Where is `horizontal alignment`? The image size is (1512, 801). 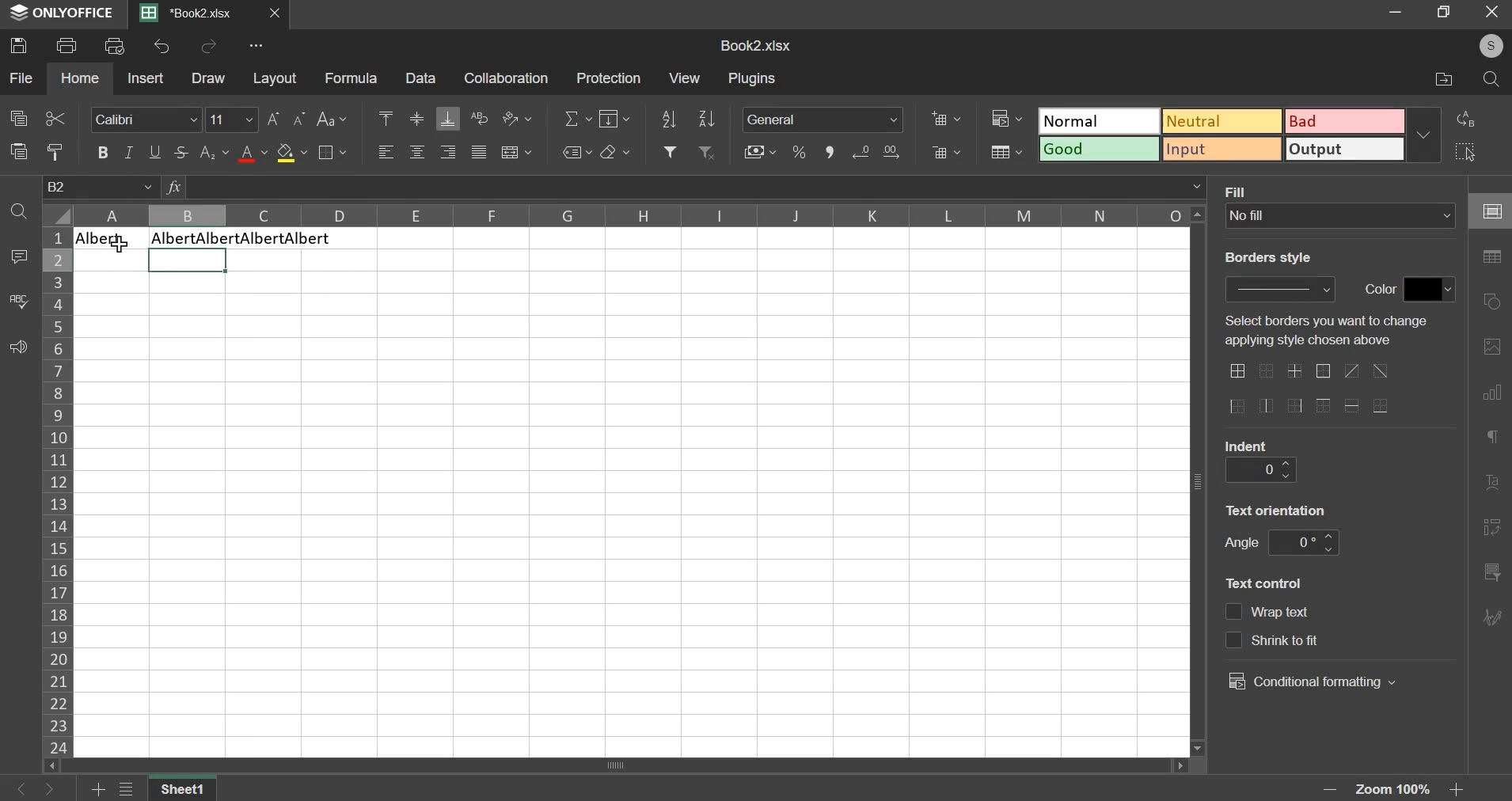
horizontal alignment is located at coordinates (417, 152).